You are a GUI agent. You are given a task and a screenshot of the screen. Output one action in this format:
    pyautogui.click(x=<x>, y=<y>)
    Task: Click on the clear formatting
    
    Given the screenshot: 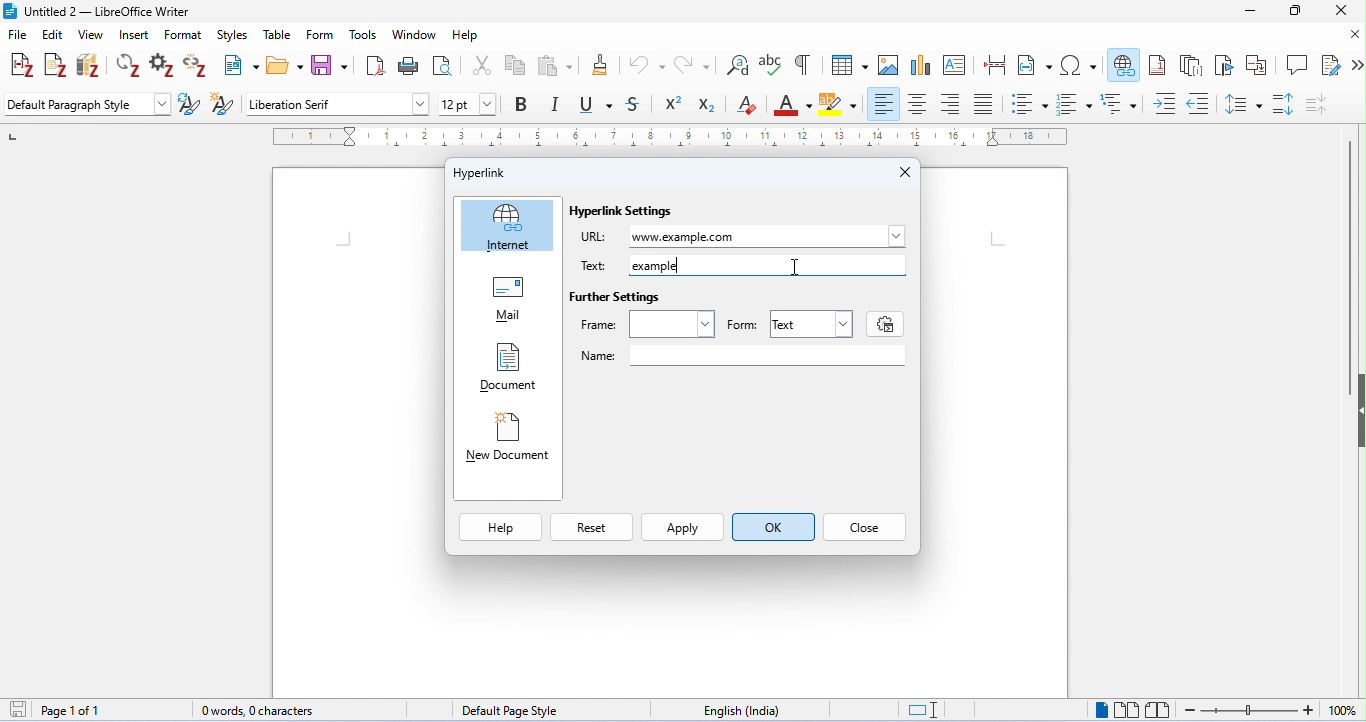 What is the action you would take?
    pyautogui.click(x=748, y=105)
    